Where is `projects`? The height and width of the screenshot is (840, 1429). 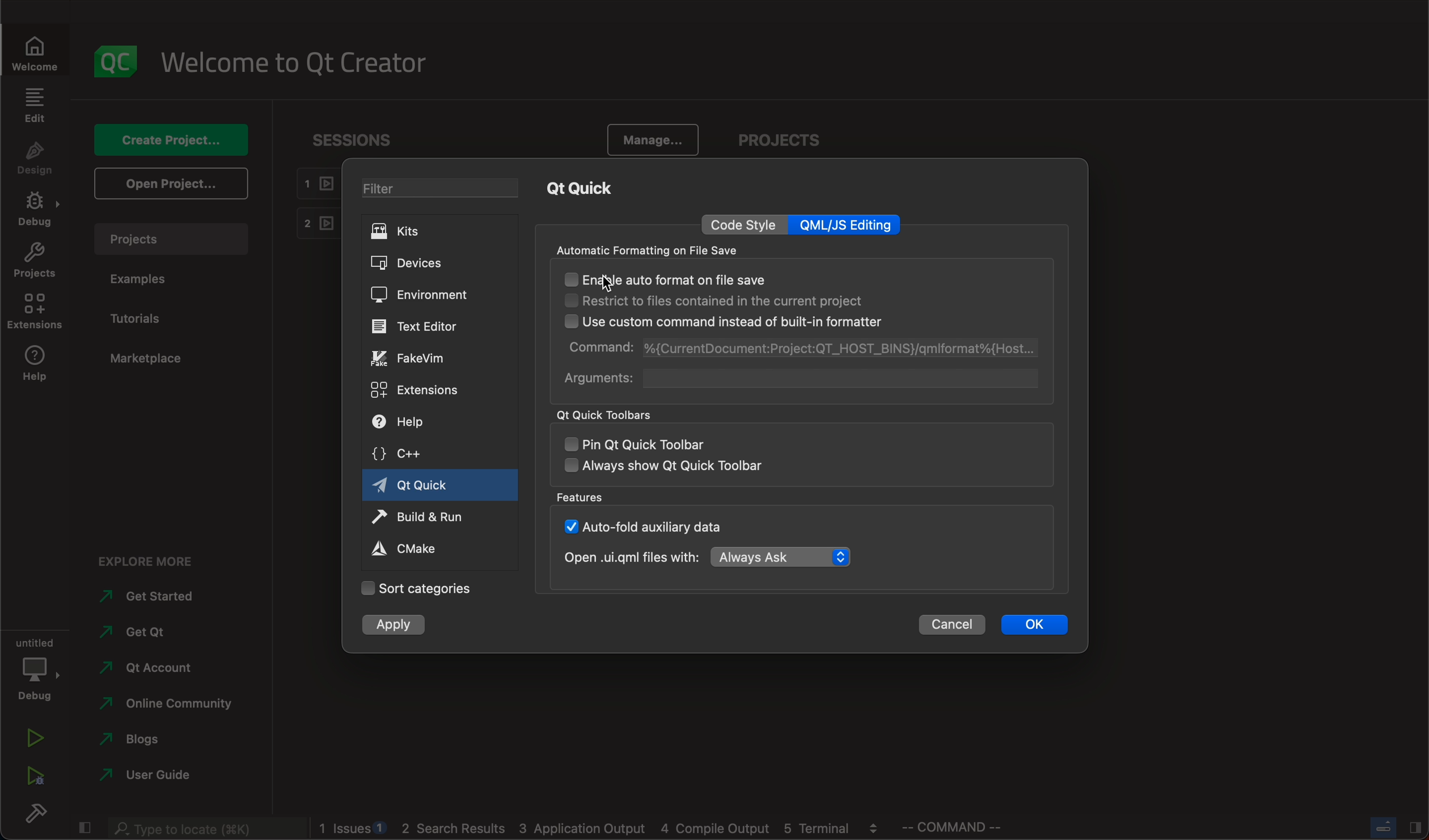
projects is located at coordinates (35, 261).